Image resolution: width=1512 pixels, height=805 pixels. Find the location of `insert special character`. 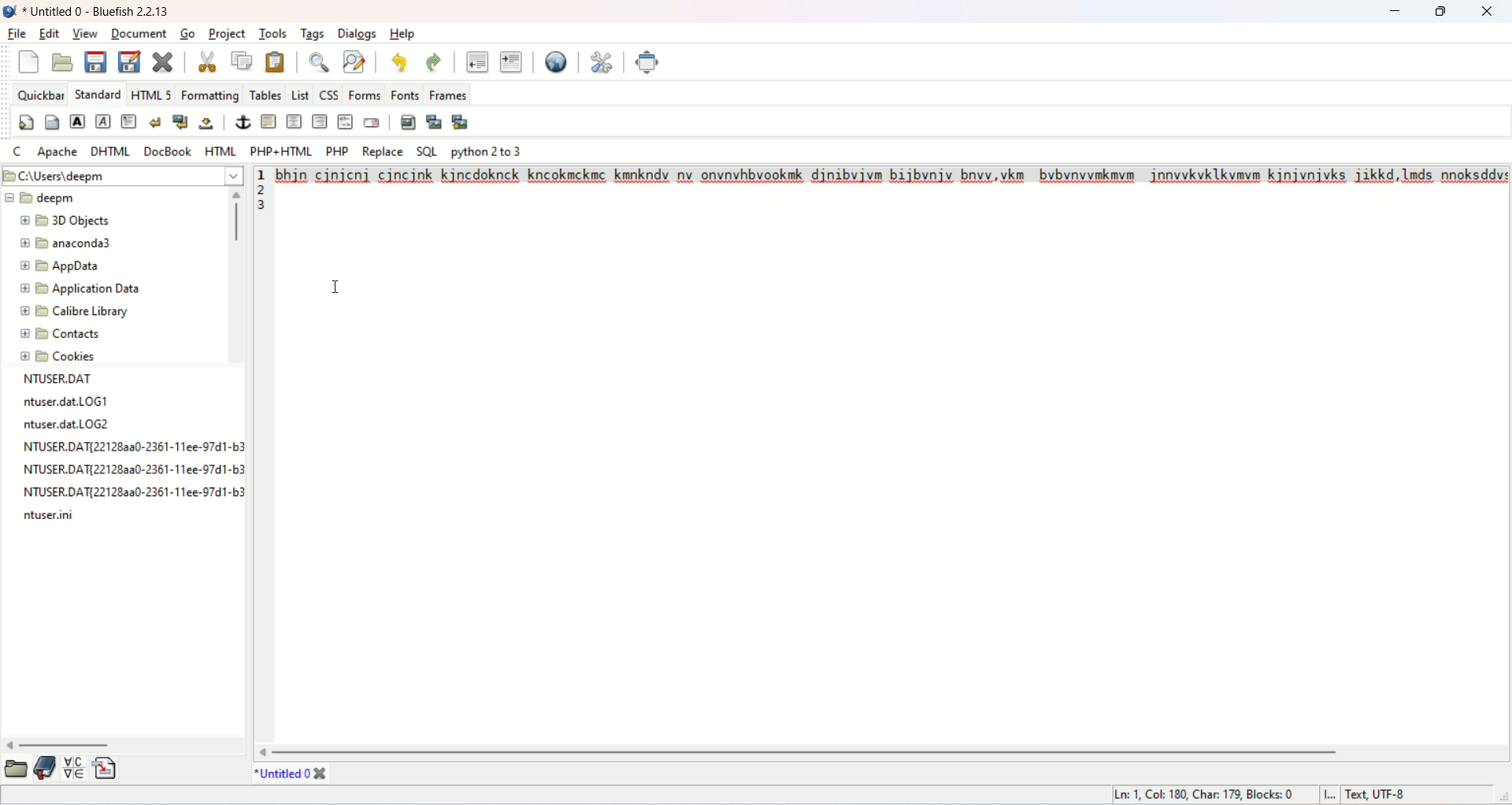

insert special character is located at coordinates (73, 768).